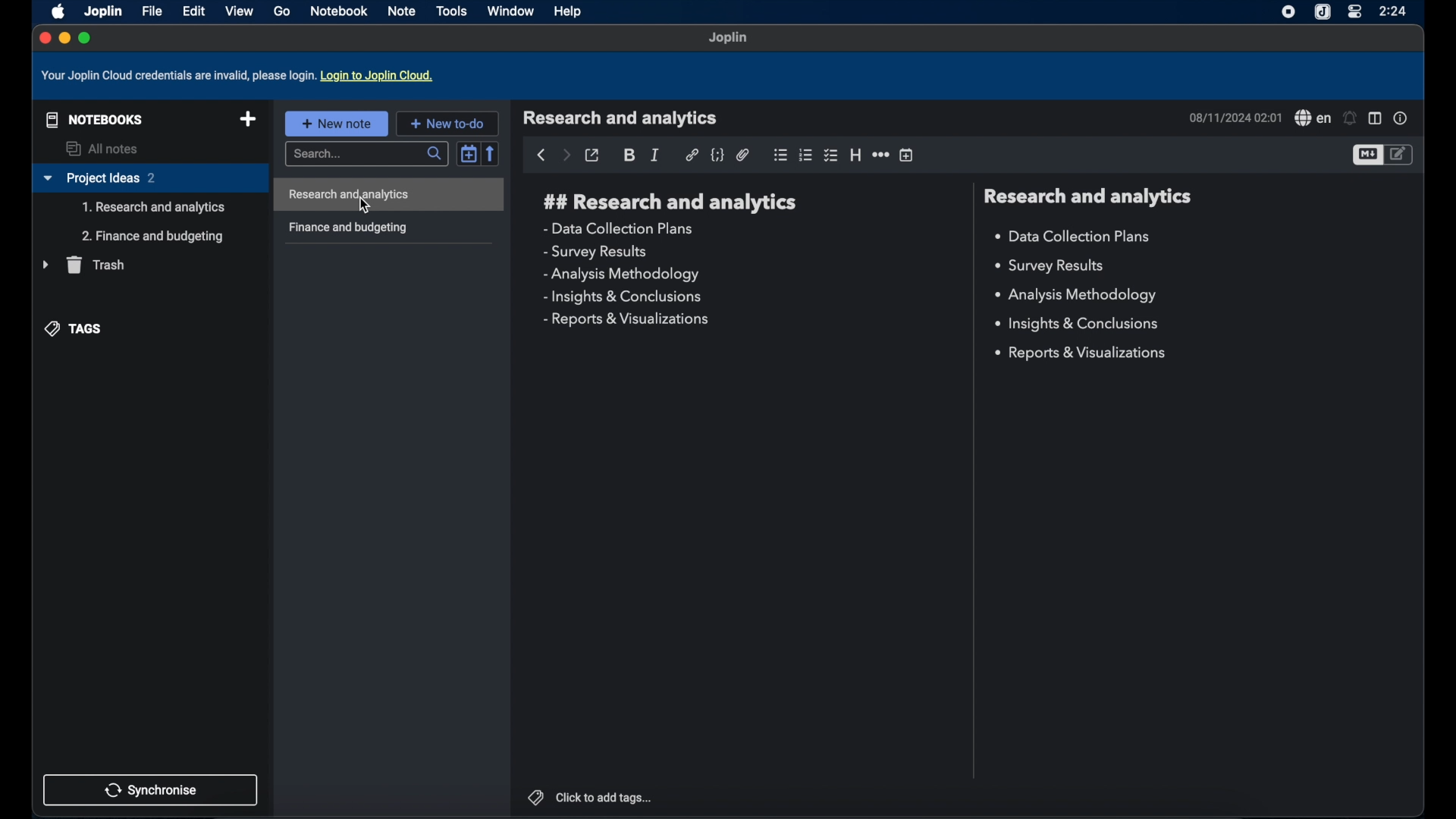 This screenshot has height=819, width=1456. Describe the element at coordinates (589, 796) in the screenshot. I see `click to add tags` at that location.